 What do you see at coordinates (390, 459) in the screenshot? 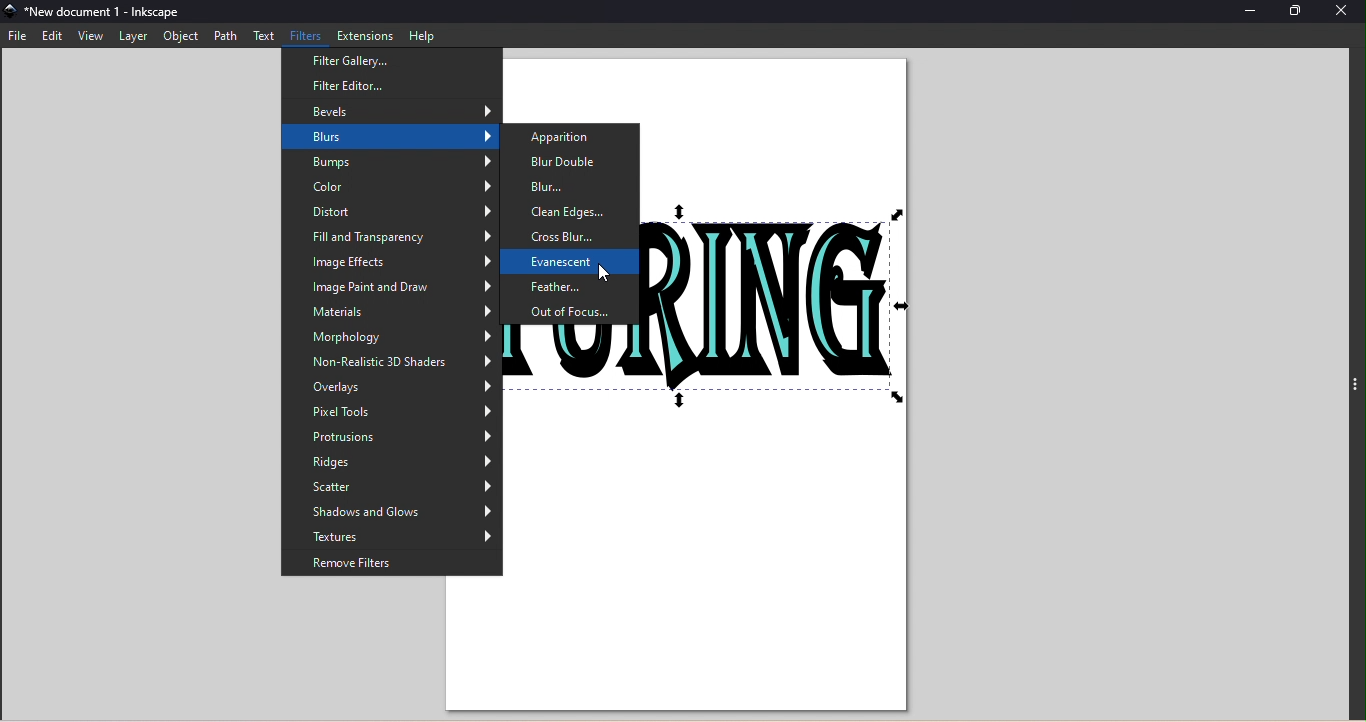
I see `Ridges` at bounding box center [390, 459].